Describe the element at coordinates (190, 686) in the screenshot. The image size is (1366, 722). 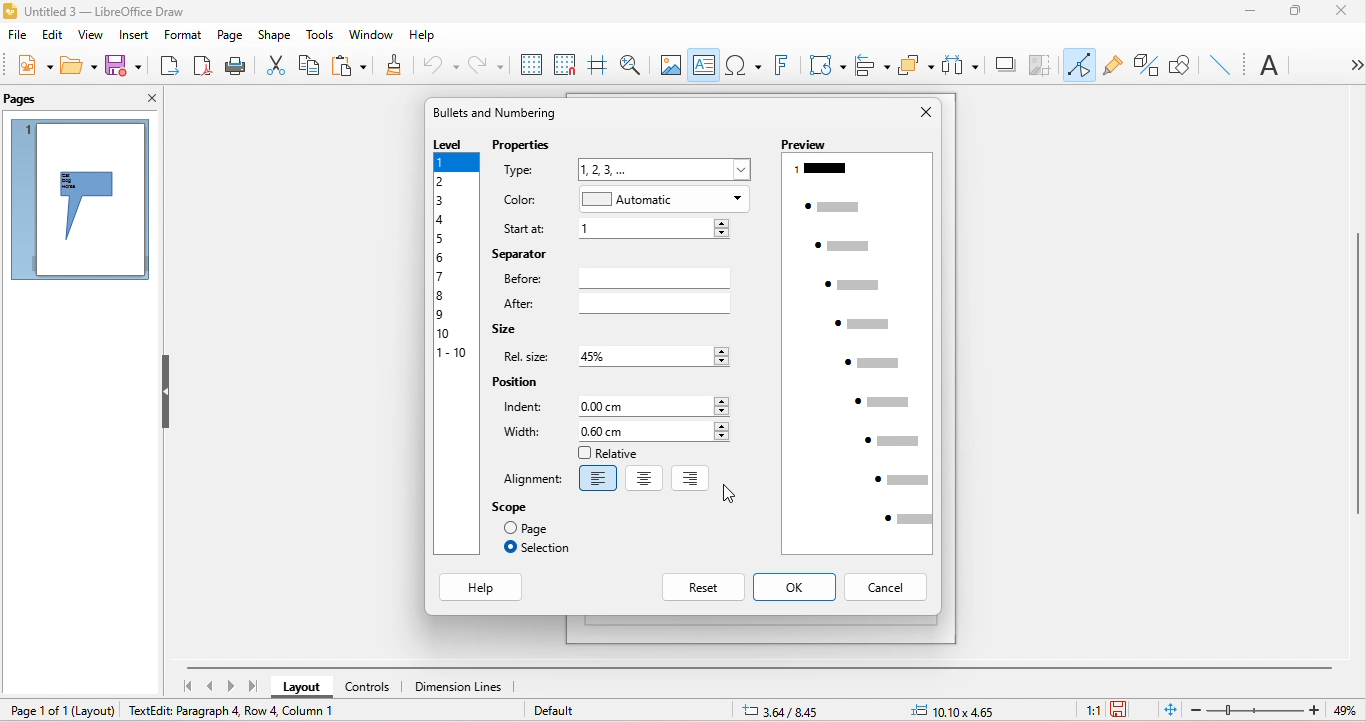
I see `first page` at that location.